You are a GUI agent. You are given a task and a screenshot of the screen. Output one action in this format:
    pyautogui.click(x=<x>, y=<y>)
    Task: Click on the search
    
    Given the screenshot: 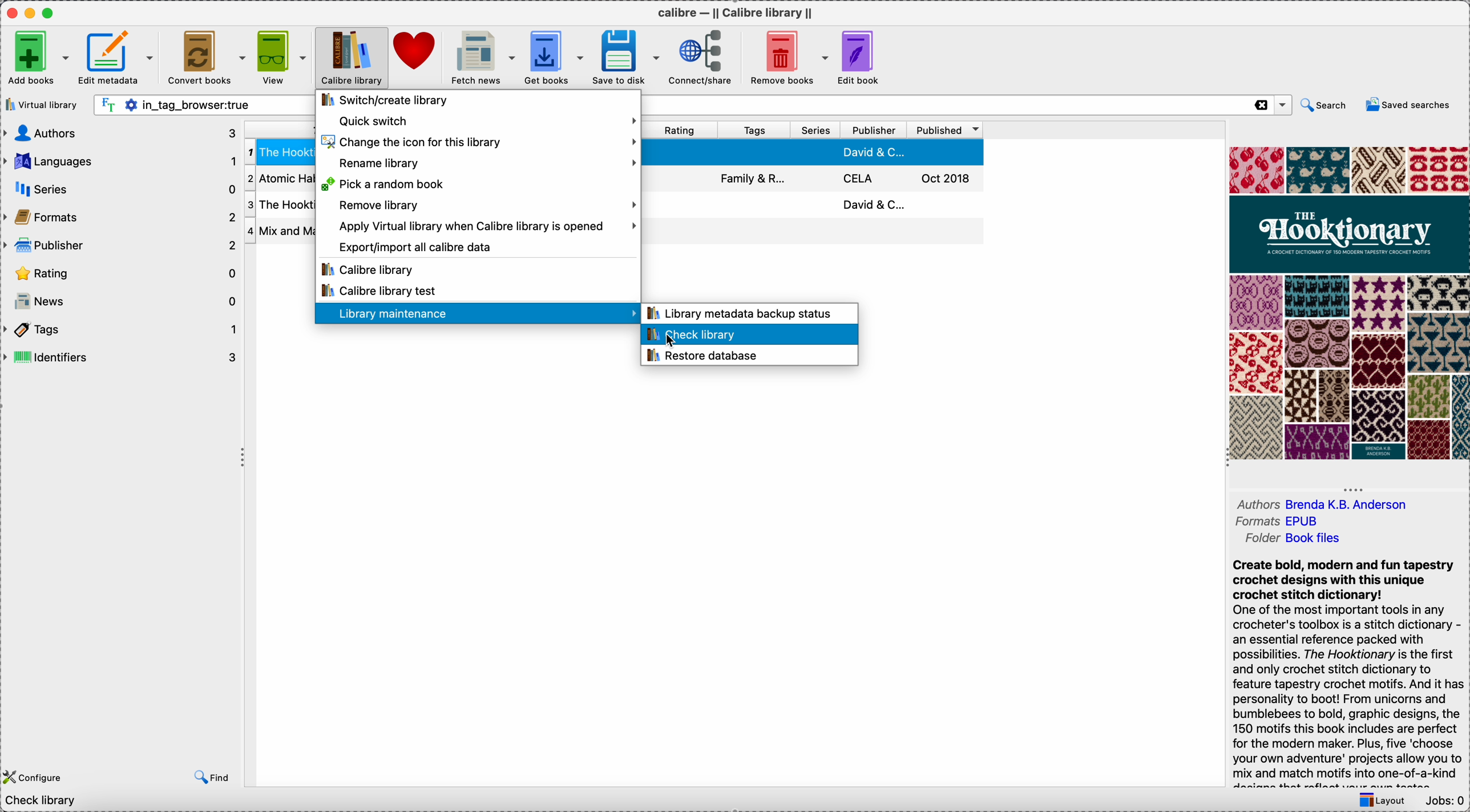 What is the action you would take?
    pyautogui.click(x=1326, y=106)
    